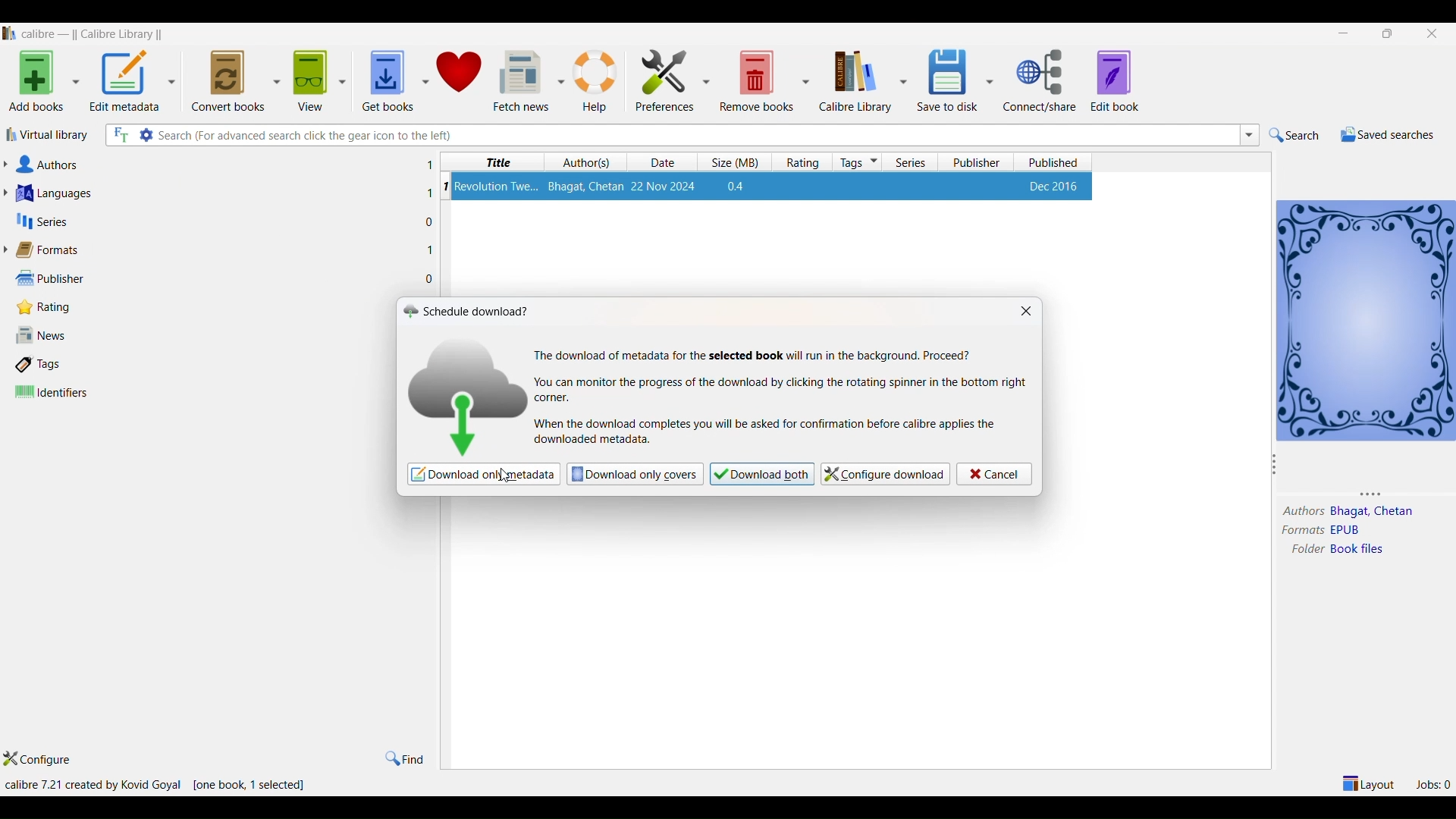 This screenshot has height=819, width=1456. Describe the element at coordinates (1384, 133) in the screenshot. I see `saved searches` at that location.